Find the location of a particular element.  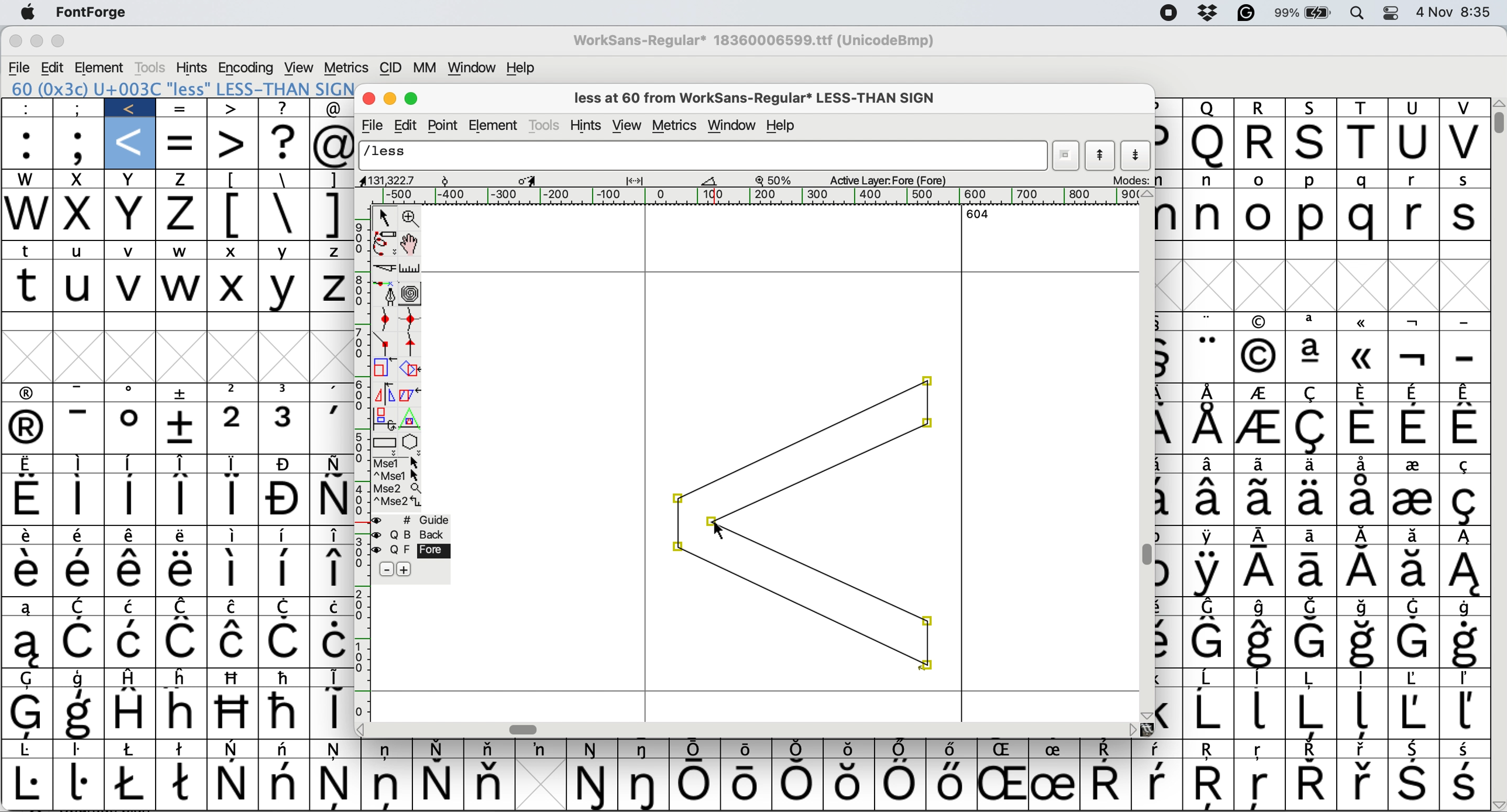

glyph name is located at coordinates (704, 156).